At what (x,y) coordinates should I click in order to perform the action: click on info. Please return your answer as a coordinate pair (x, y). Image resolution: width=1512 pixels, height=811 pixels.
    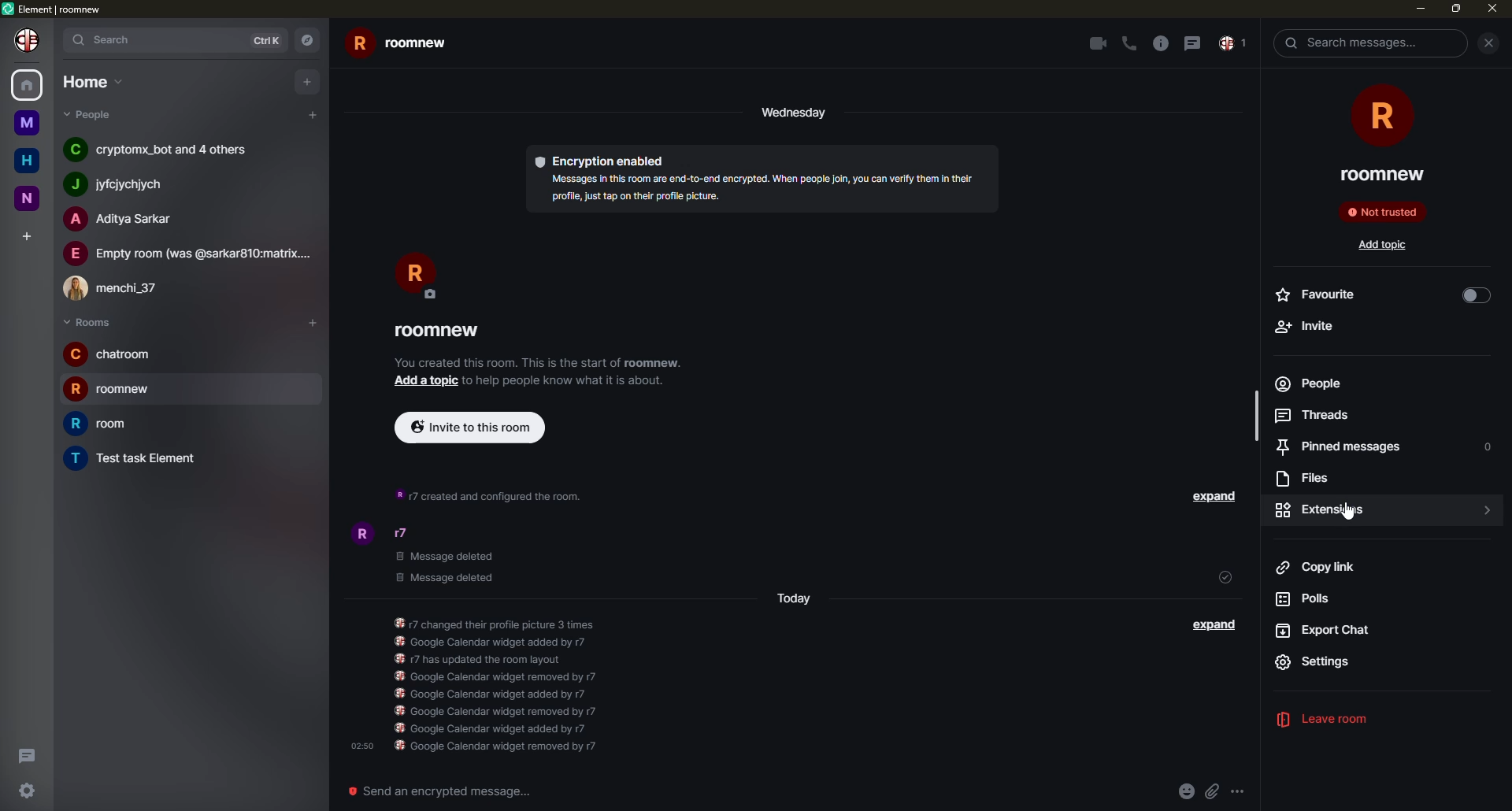
    Looking at the image, I should click on (539, 363).